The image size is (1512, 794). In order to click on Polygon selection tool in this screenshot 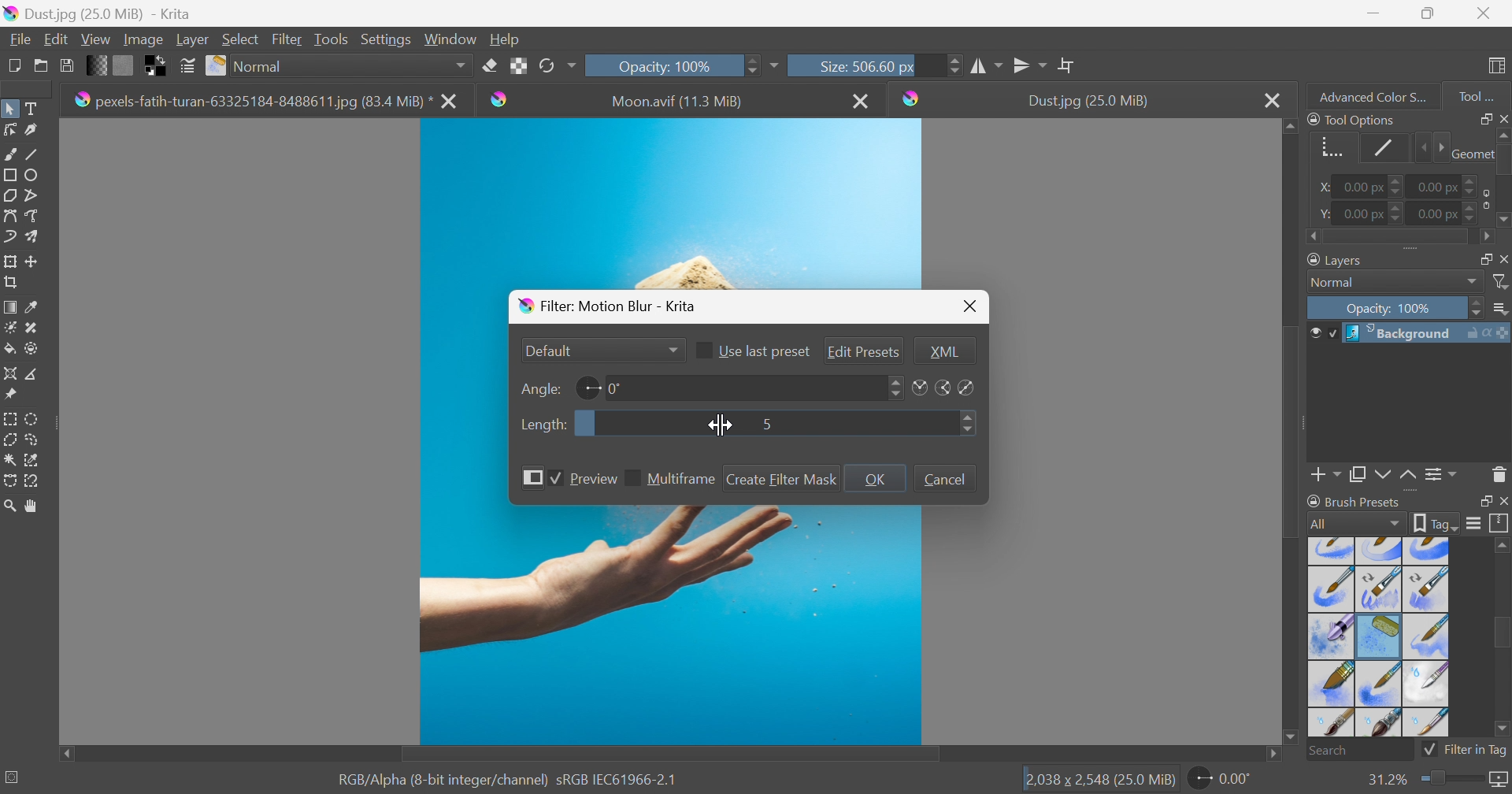, I will do `click(13, 439)`.